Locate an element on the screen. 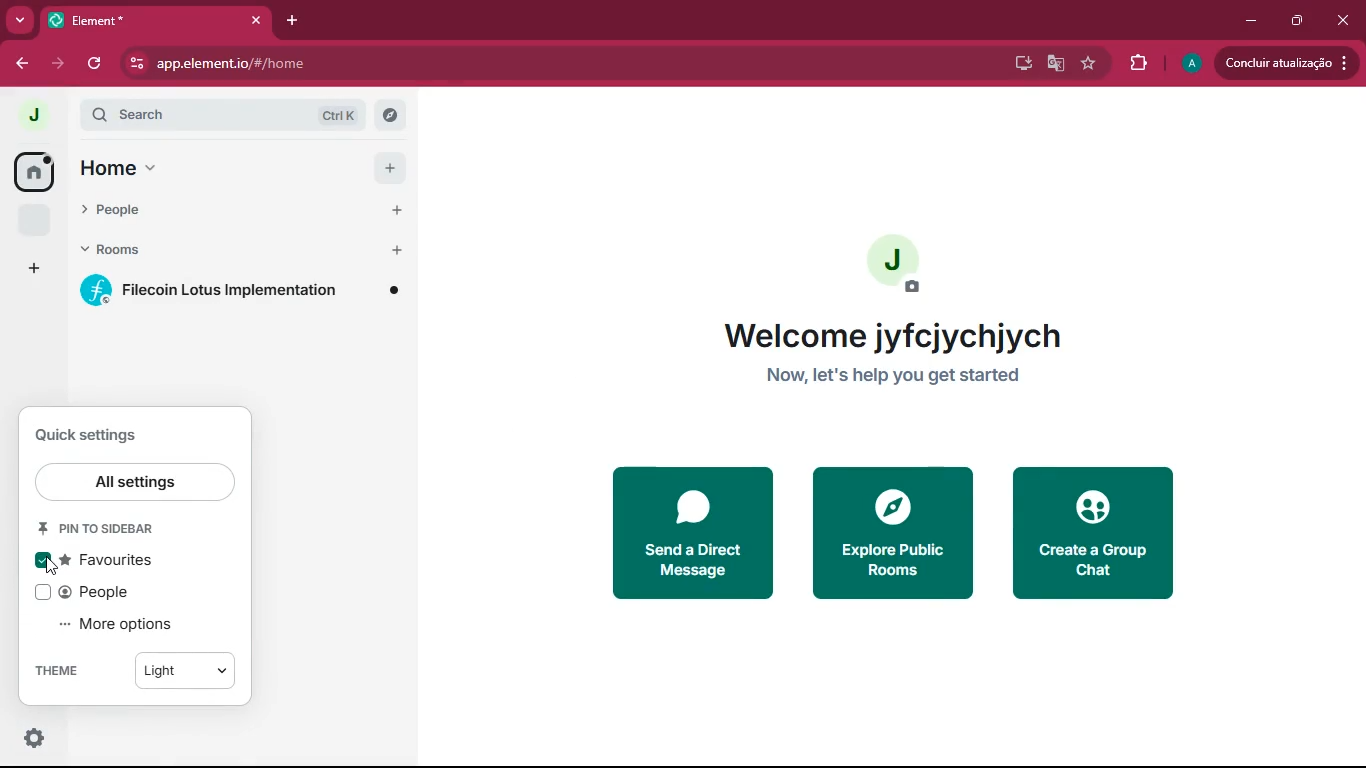 The width and height of the screenshot is (1366, 768). pin is located at coordinates (111, 529).